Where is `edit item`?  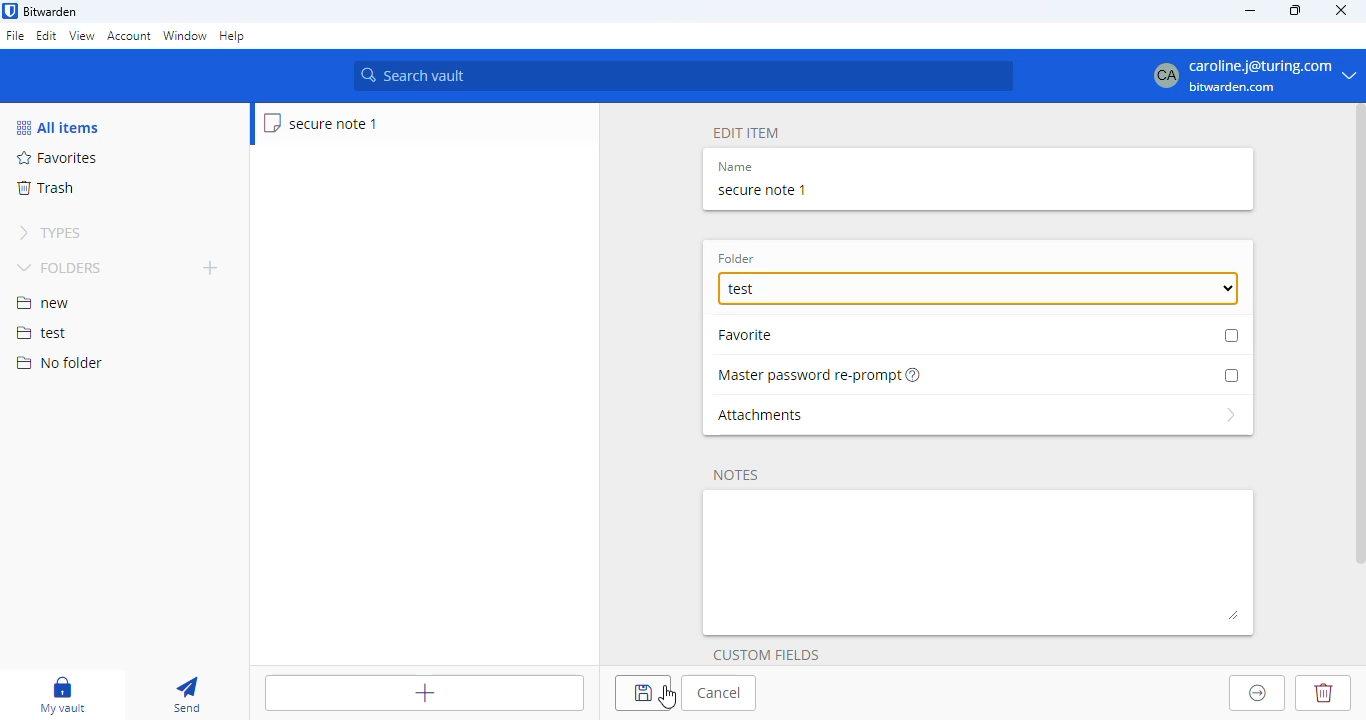 edit item is located at coordinates (747, 134).